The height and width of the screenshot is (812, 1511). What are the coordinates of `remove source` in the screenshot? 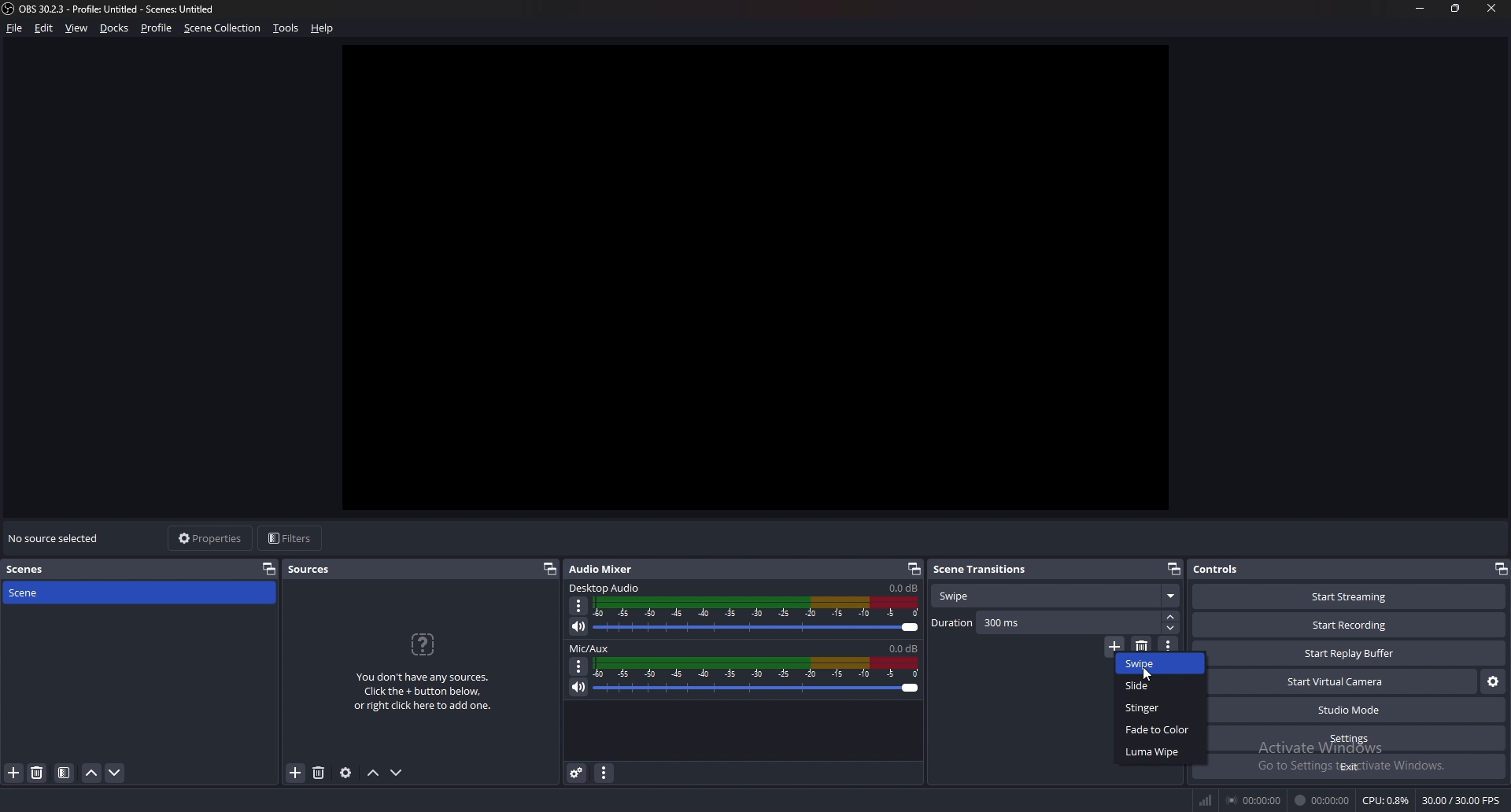 It's located at (319, 773).